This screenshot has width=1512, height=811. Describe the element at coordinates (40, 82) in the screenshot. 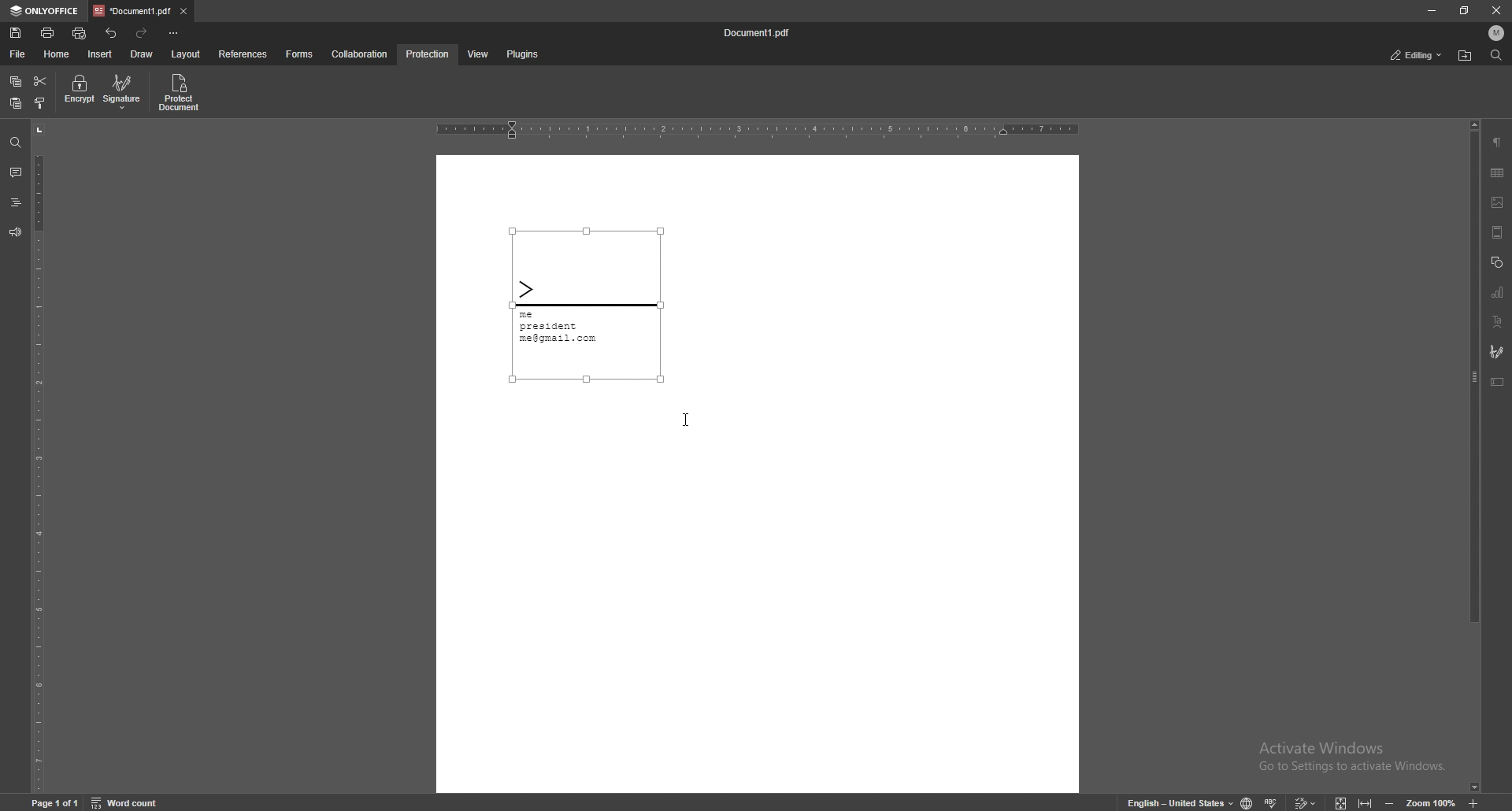

I see `cut` at that location.